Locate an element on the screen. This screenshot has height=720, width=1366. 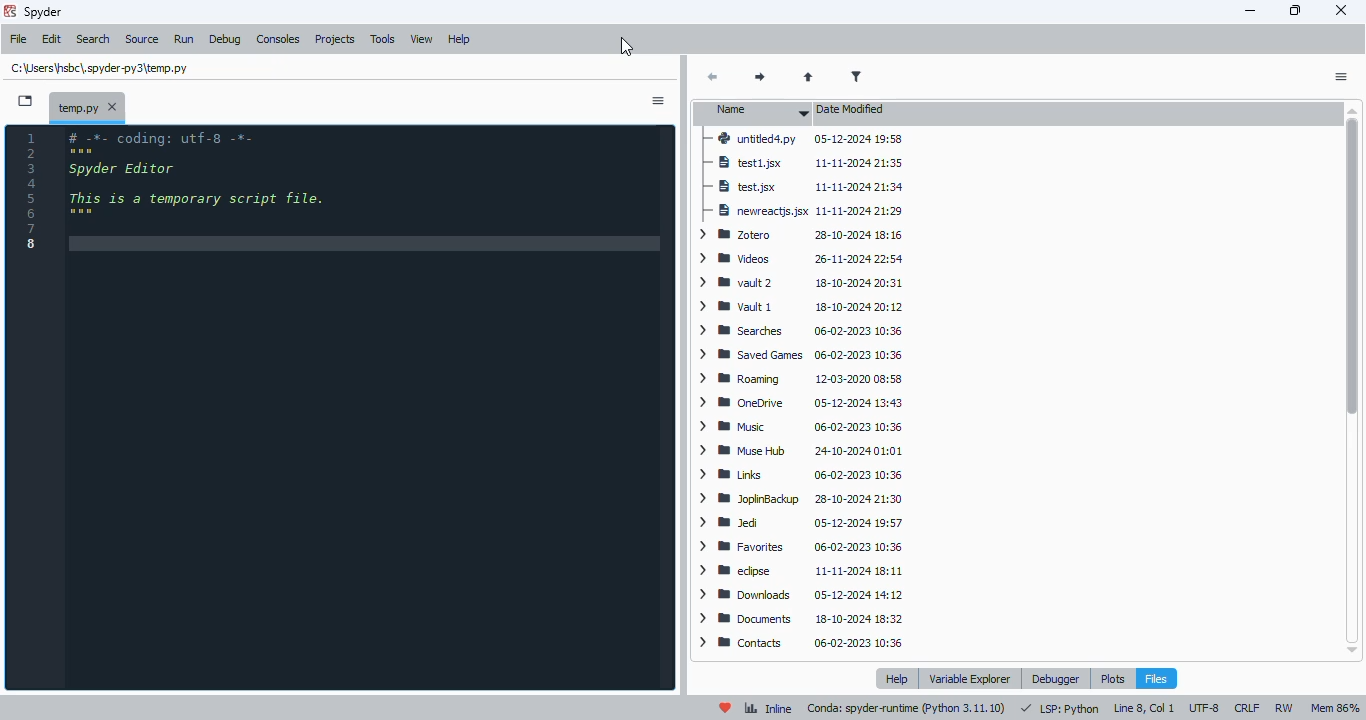
scrollbar is located at coordinates (1352, 381).